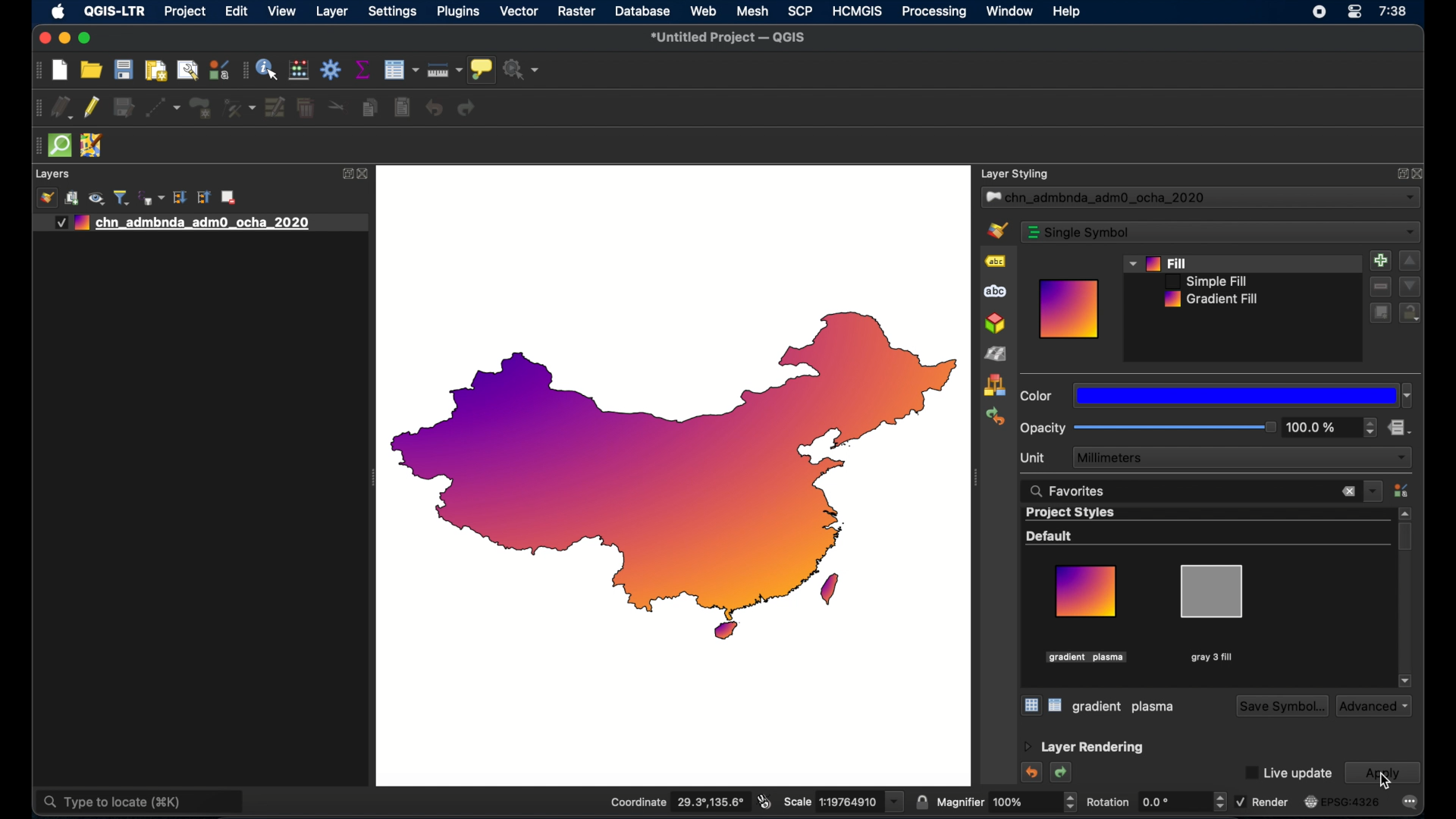 Image resolution: width=1456 pixels, height=819 pixels. Describe the element at coordinates (403, 108) in the screenshot. I see `paste features` at that location.